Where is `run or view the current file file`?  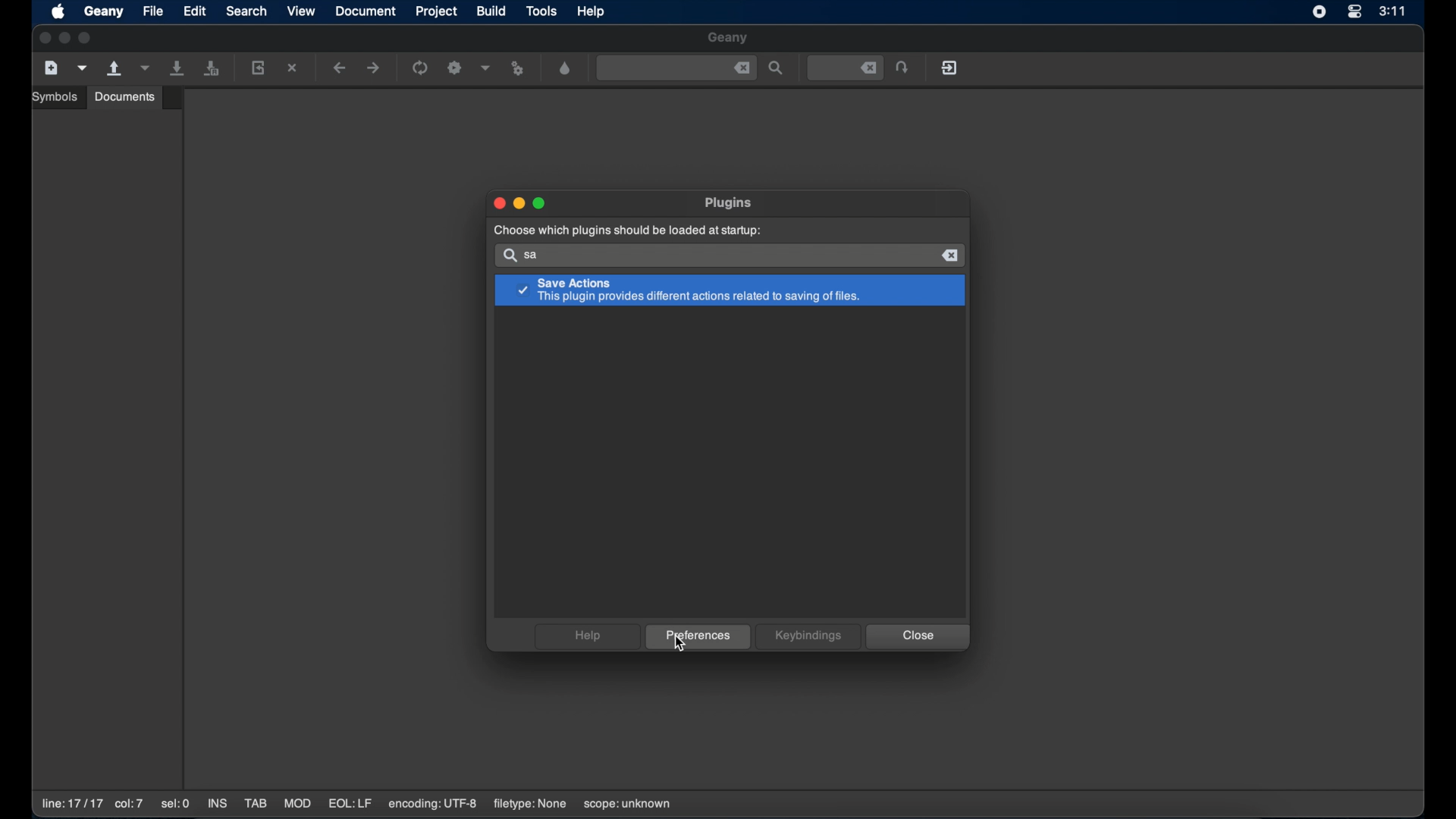 run or view the current file file is located at coordinates (520, 69).